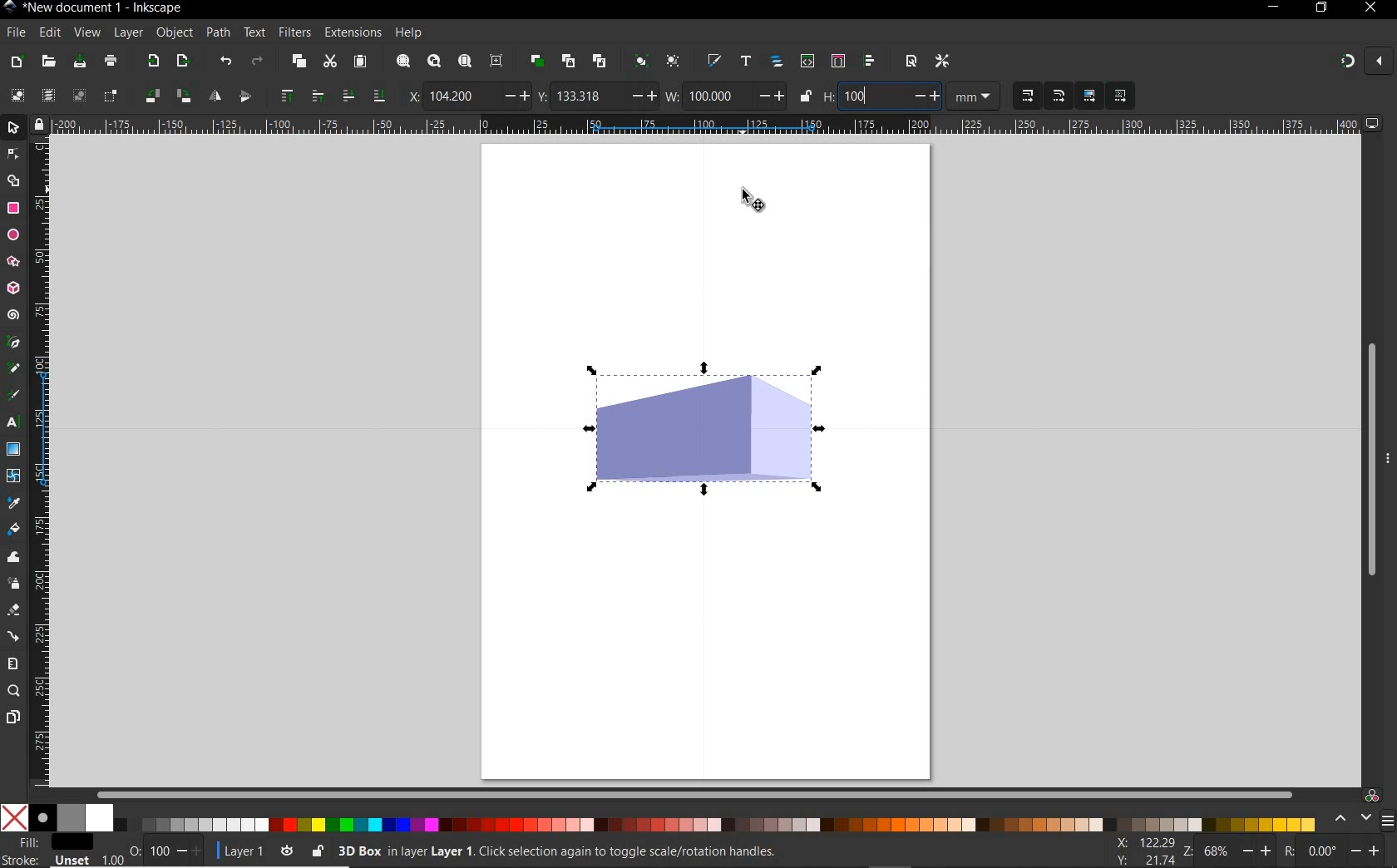 The width and height of the screenshot is (1397, 868). I want to click on h, so click(828, 96).